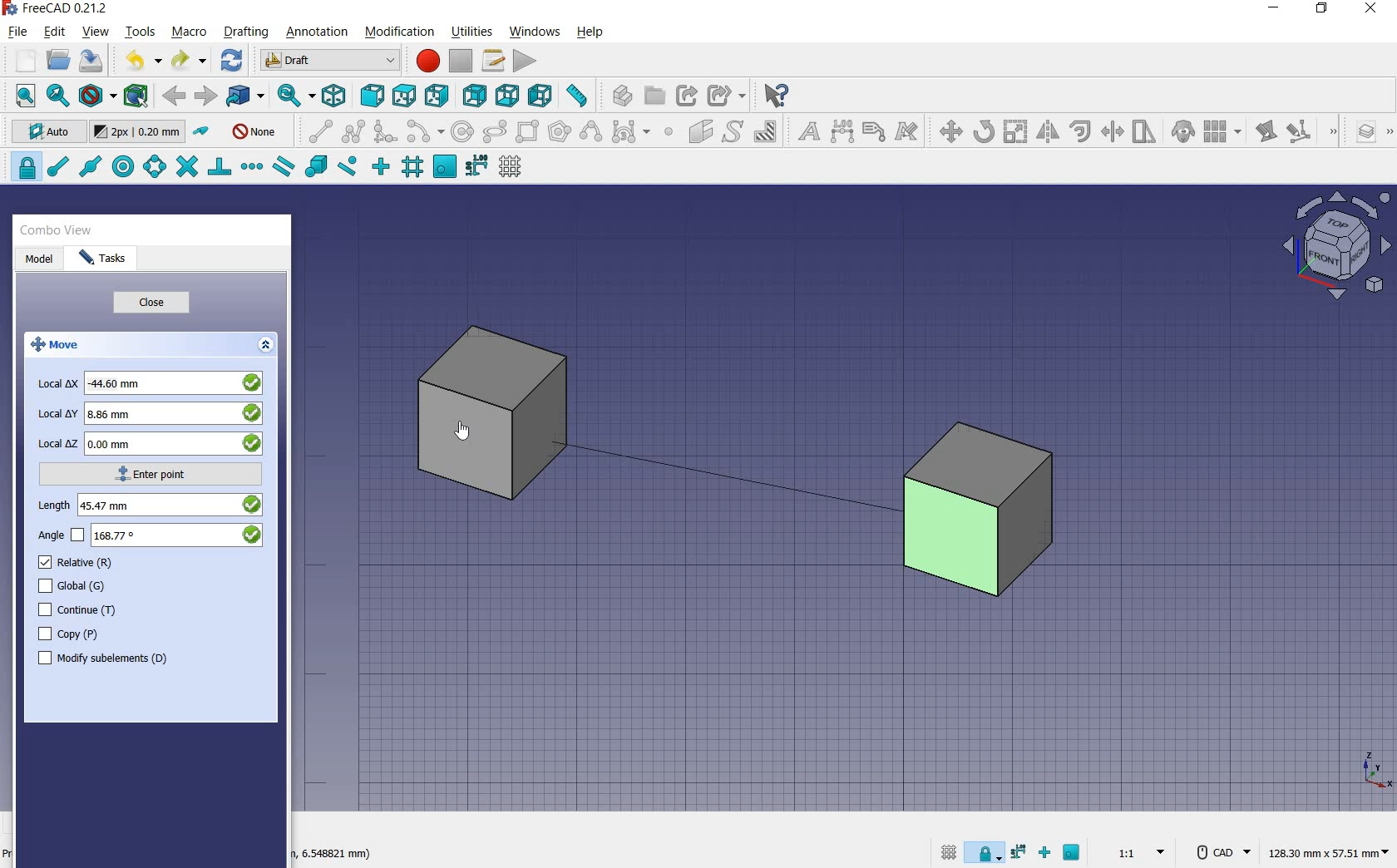  Describe the element at coordinates (57, 232) in the screenshot. I see `combo view` at that location.